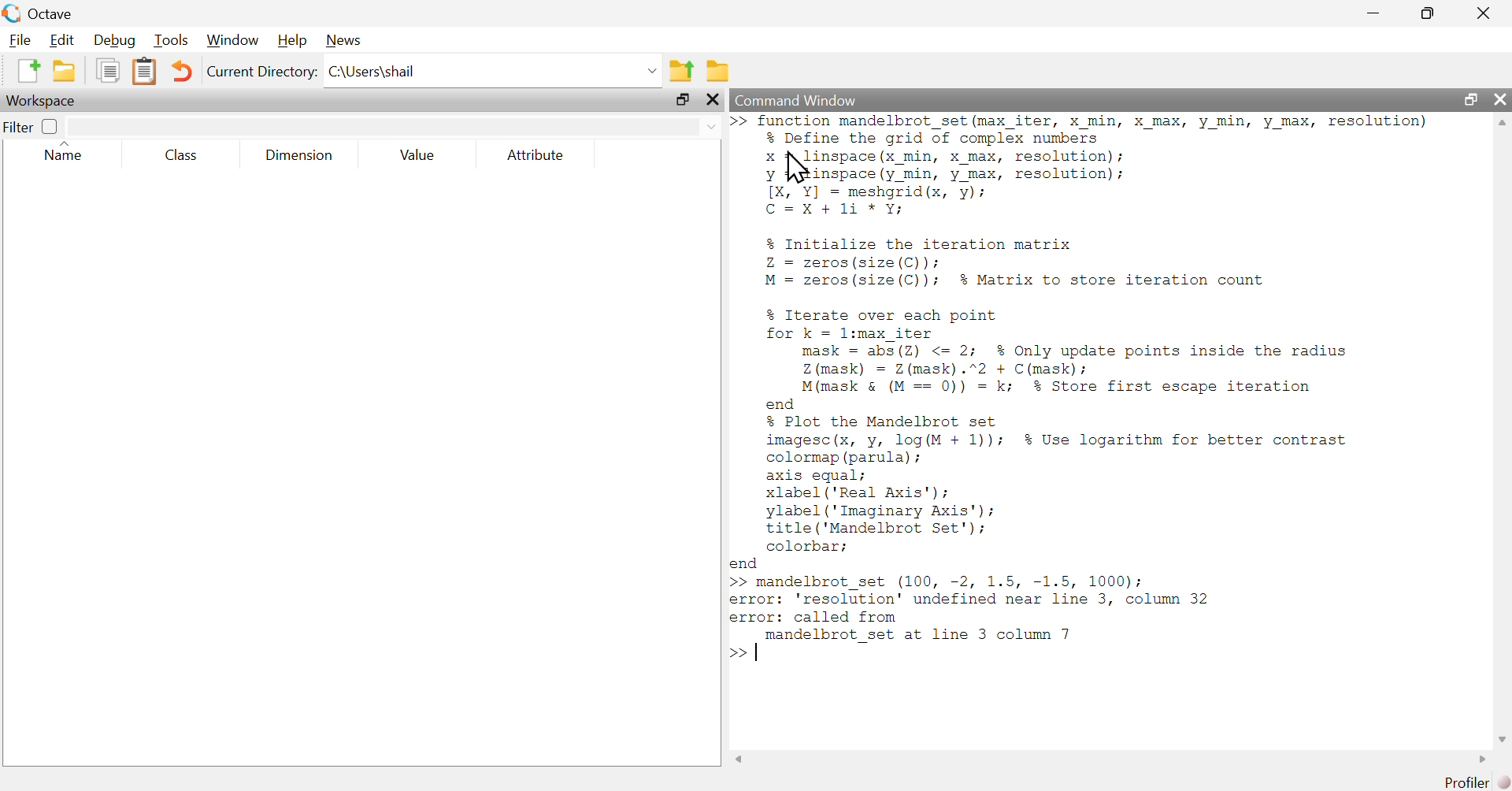 The image size is (1512, 791). I want to click on search here, so click(395, 124).